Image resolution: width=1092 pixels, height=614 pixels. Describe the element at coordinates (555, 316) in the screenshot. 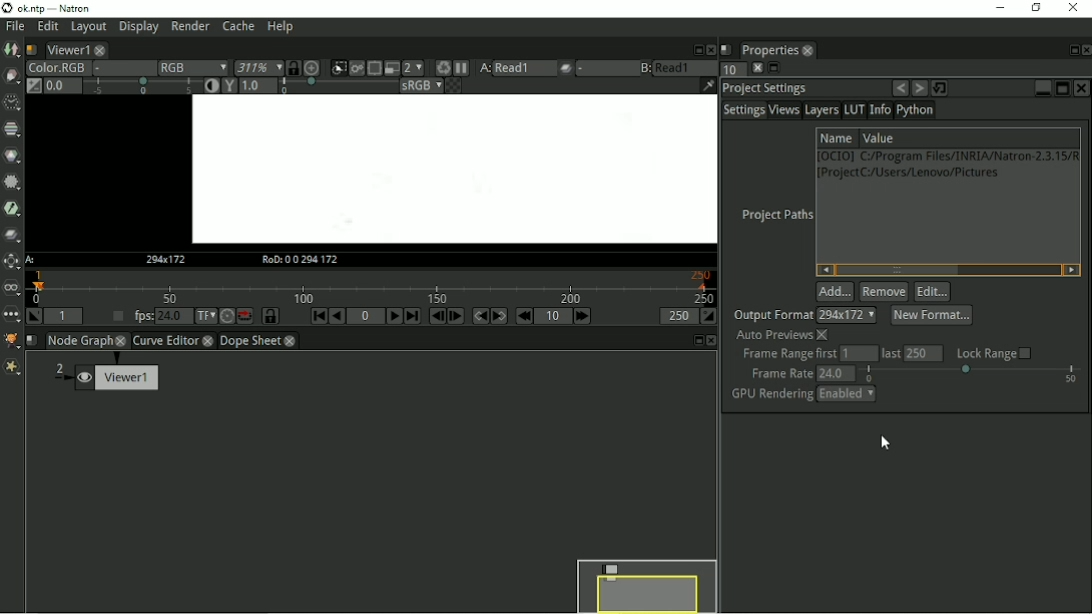

I see `Frame increment` at that location.